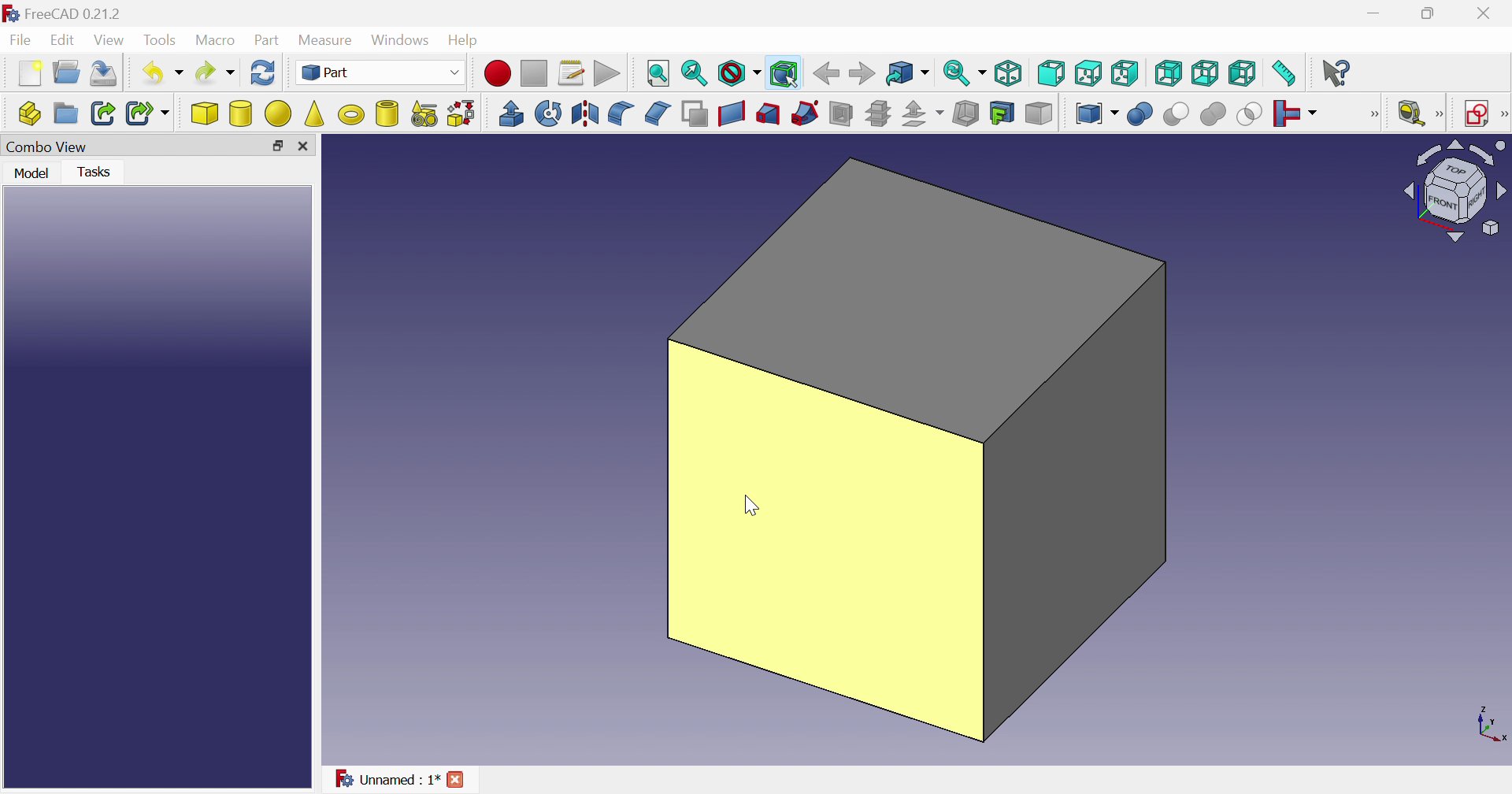 Image resolution: width=1512 pixels, height=794 pixels. I want to click on [Boolean], so click(1371, 114).